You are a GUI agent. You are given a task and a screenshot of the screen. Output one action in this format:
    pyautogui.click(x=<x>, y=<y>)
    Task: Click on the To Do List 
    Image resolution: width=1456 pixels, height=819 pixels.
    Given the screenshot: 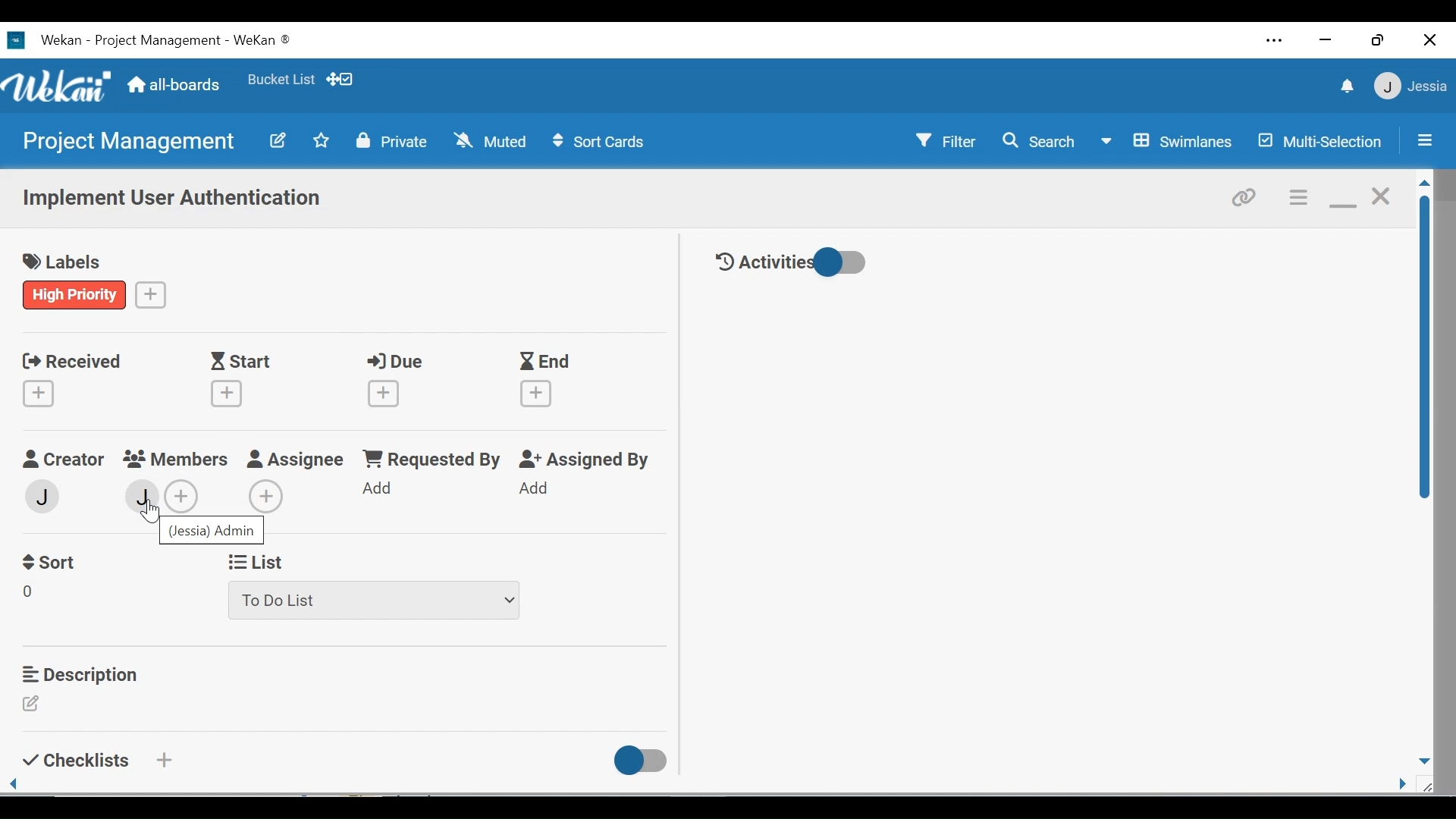 What is the action you would take?
    pyautogui.click(x=372, y=602)
    